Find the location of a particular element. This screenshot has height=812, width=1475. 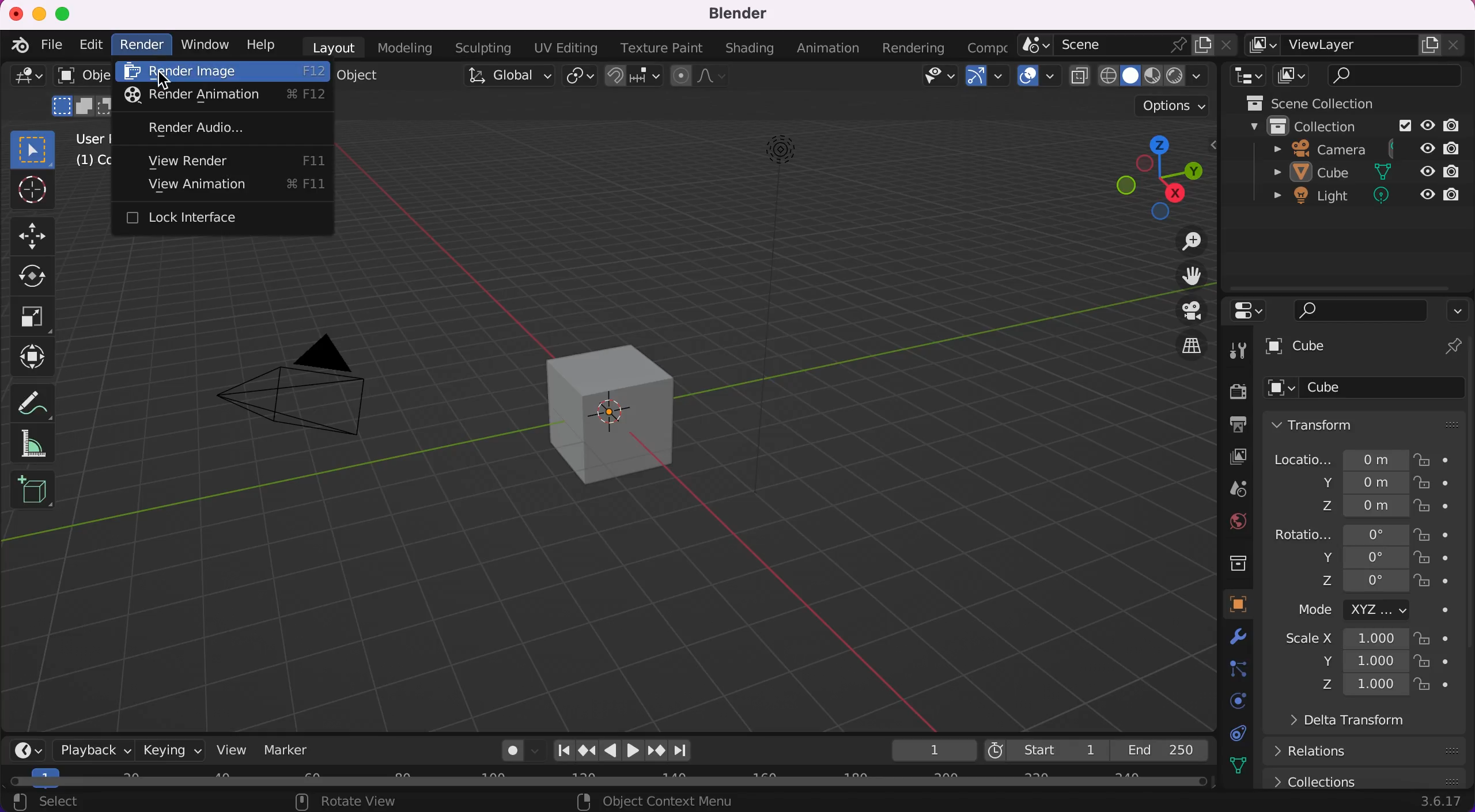

object context menu is located at coordinates (668, 802).